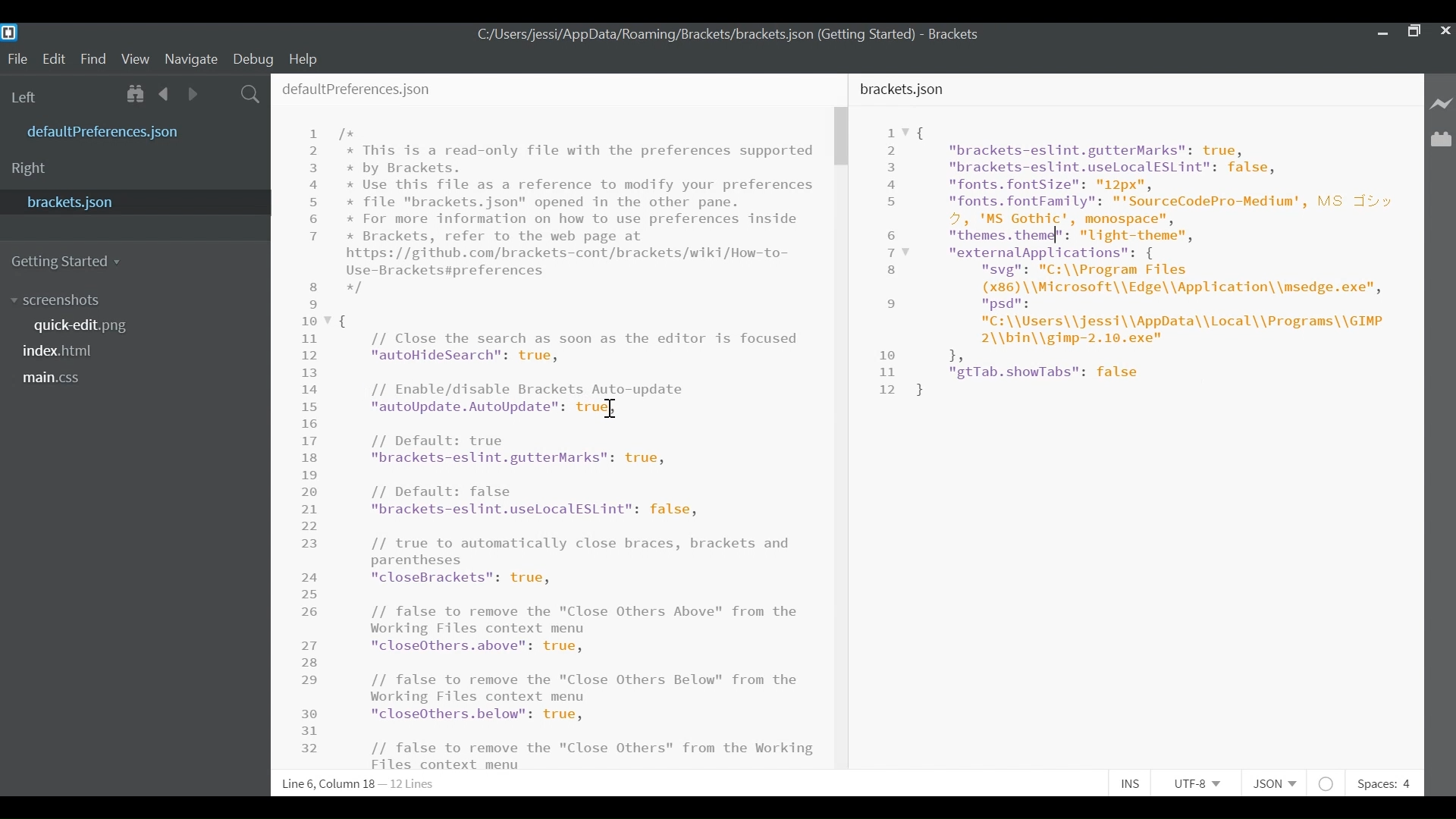 Image resolution: width=1456 pixels, height=819 pixels. Describe the element at coordinates (14, 32) in the screenshot. I see `Brackets Desktop icon` at that location.